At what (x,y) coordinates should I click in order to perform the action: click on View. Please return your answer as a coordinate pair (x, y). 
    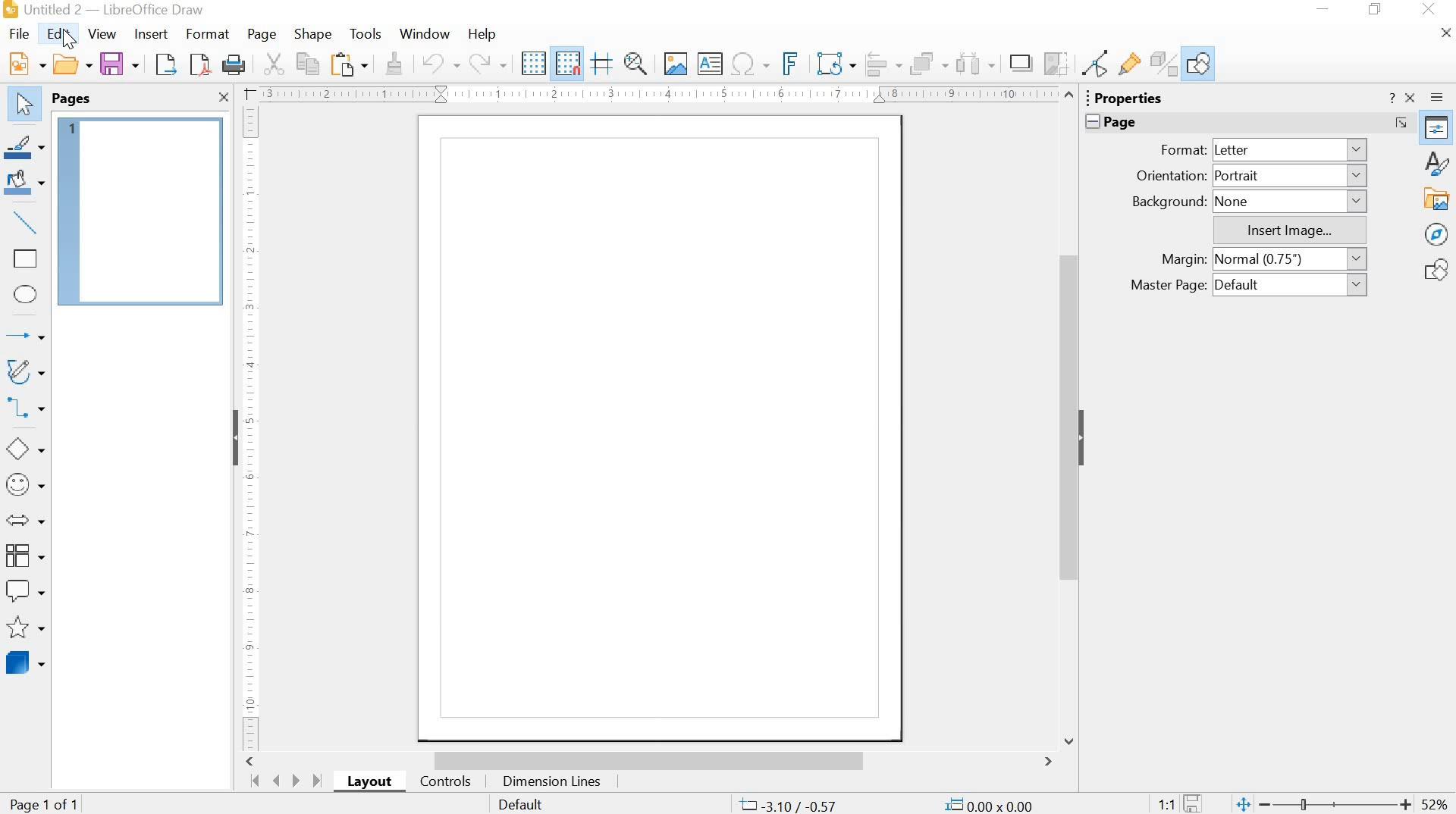
    Looking at the image, I should click on (103, 33).